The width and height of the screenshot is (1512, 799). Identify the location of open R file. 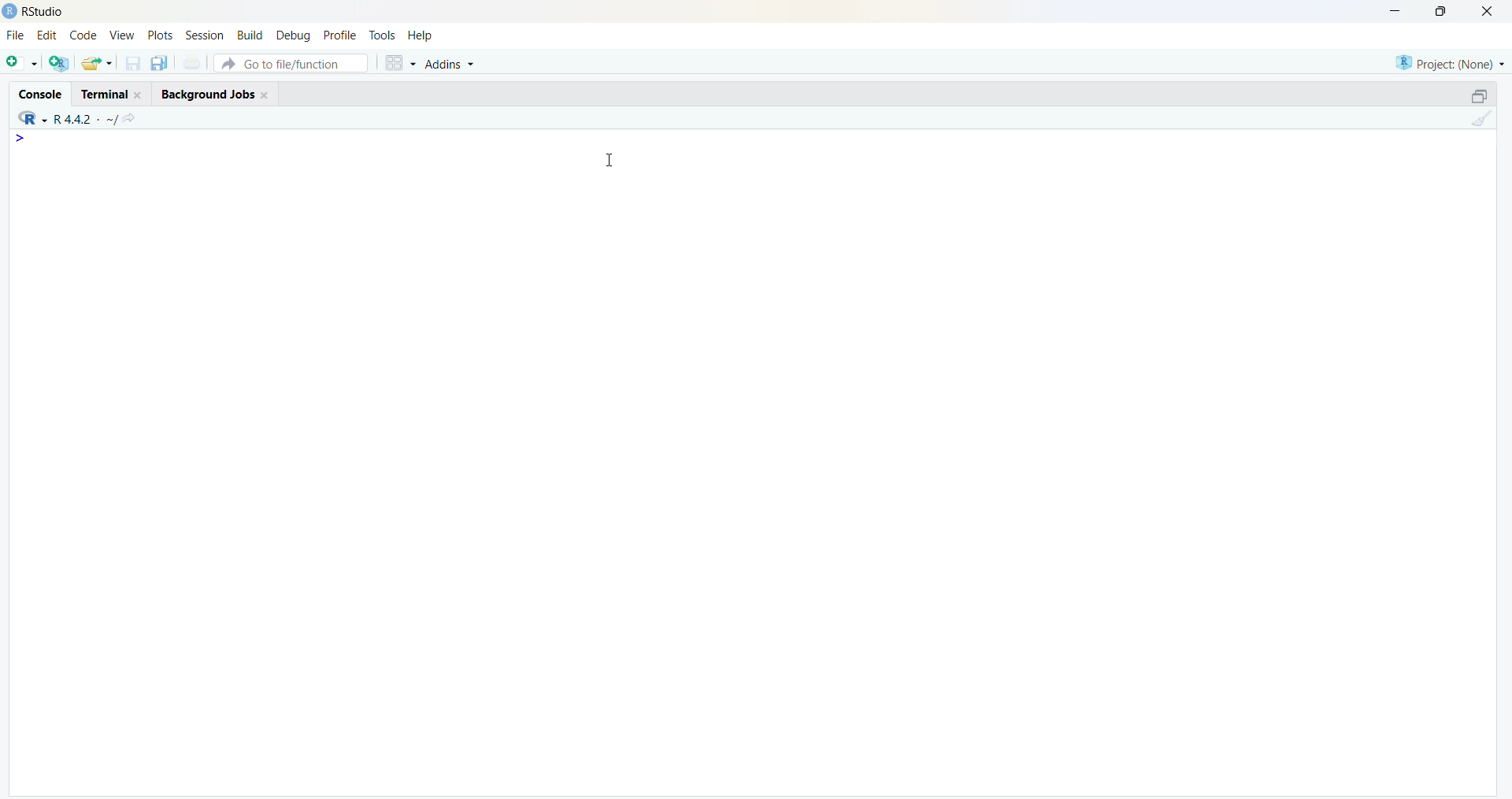
(58, 64).